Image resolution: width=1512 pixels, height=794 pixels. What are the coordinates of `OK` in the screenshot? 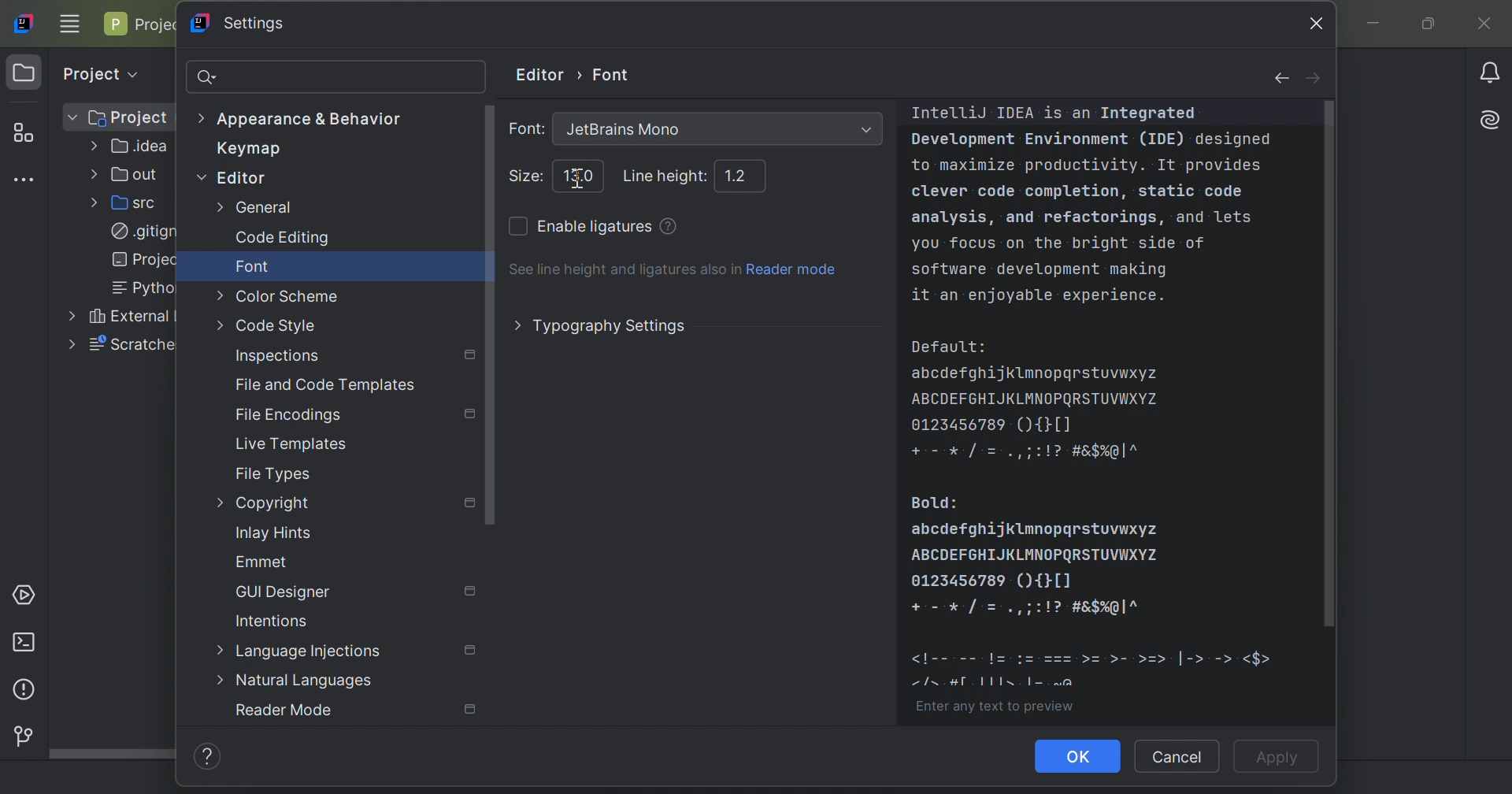 It's located at (1078, 756).